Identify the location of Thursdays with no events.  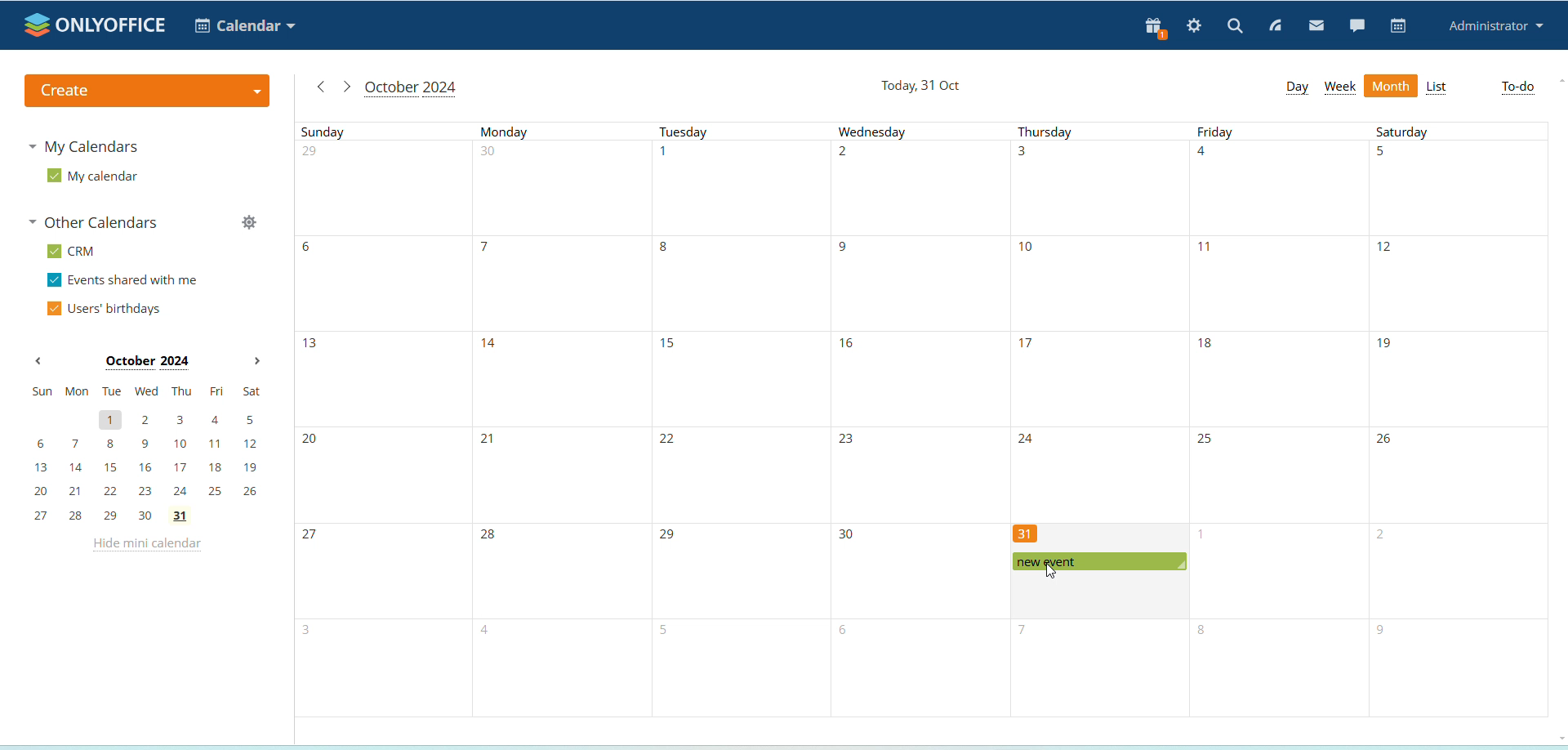
(1098, 323).